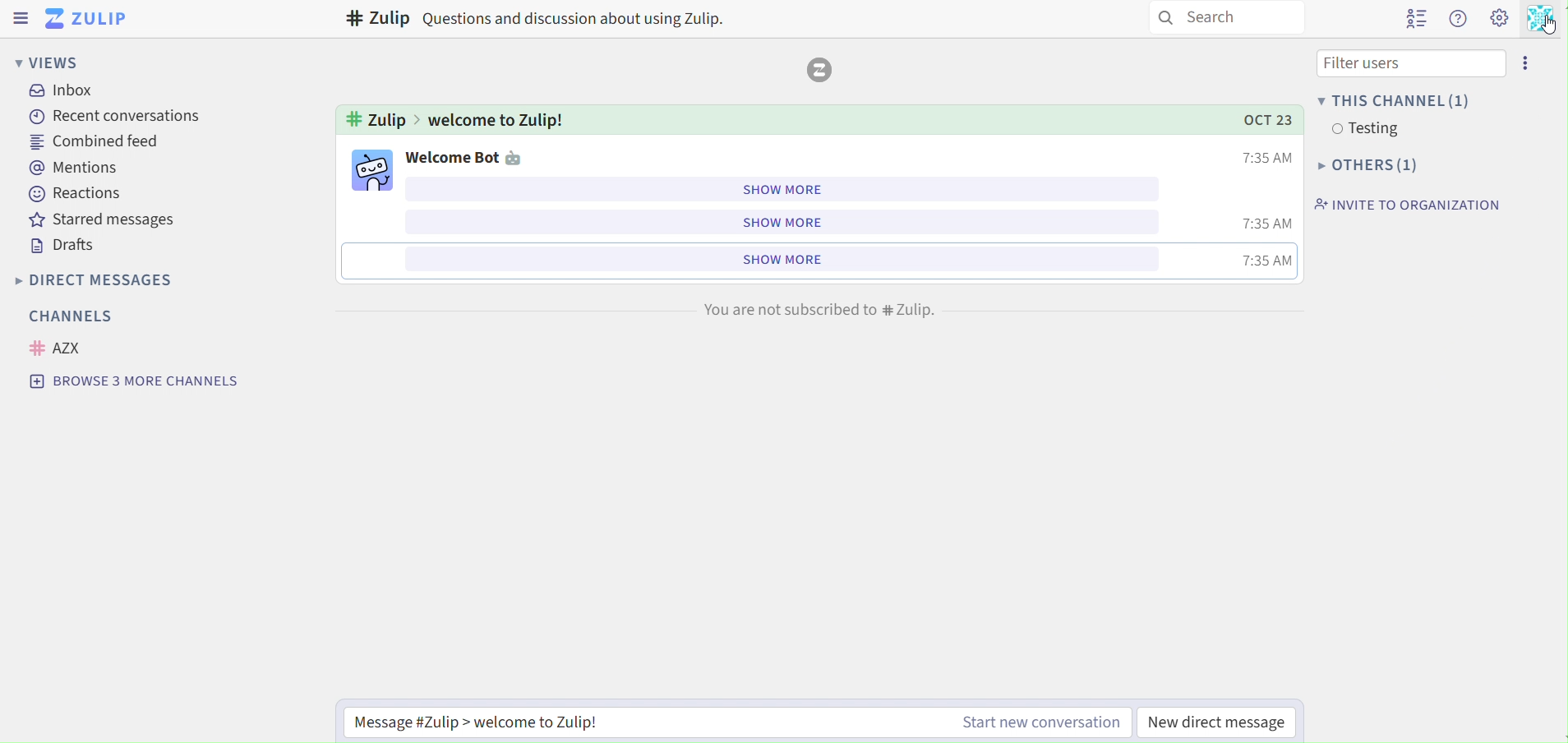  What do you see at coordinates (46, 62) in the screenshot?
I see `views` at bounding box center [46, 62].